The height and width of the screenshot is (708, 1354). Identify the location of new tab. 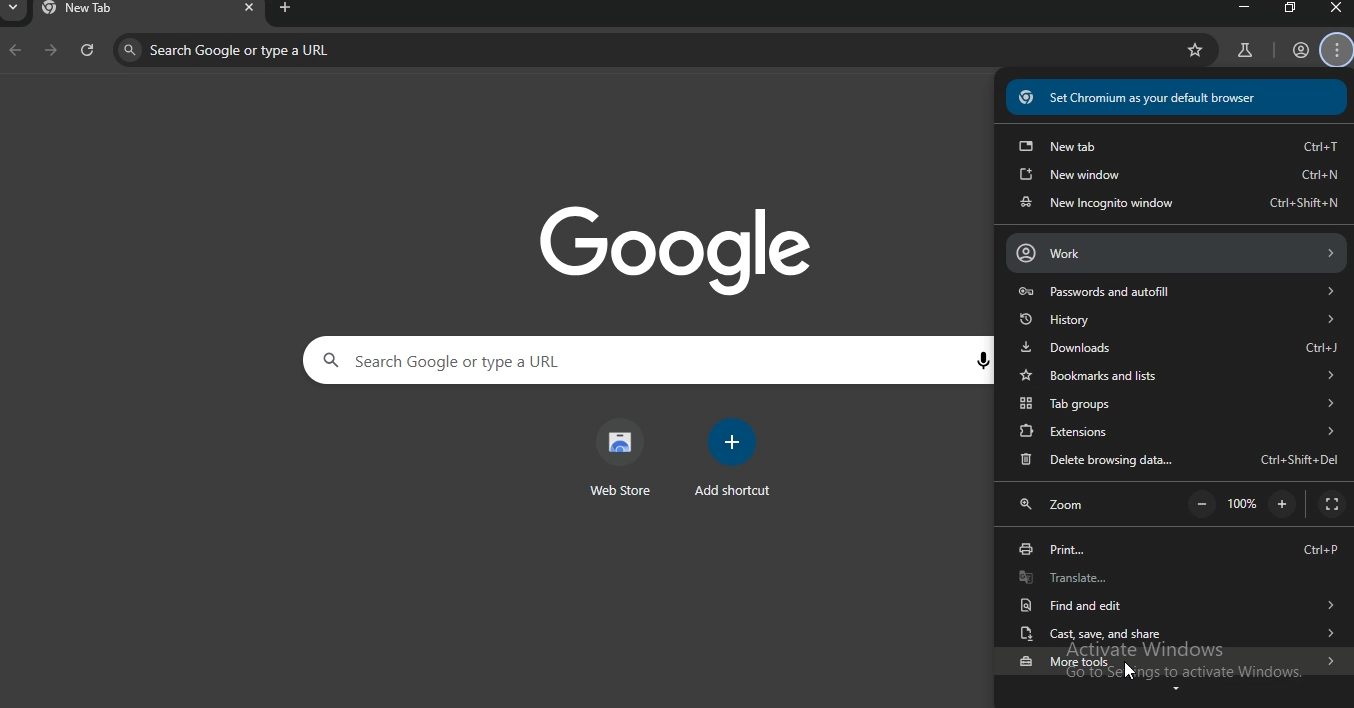
(286, 9).